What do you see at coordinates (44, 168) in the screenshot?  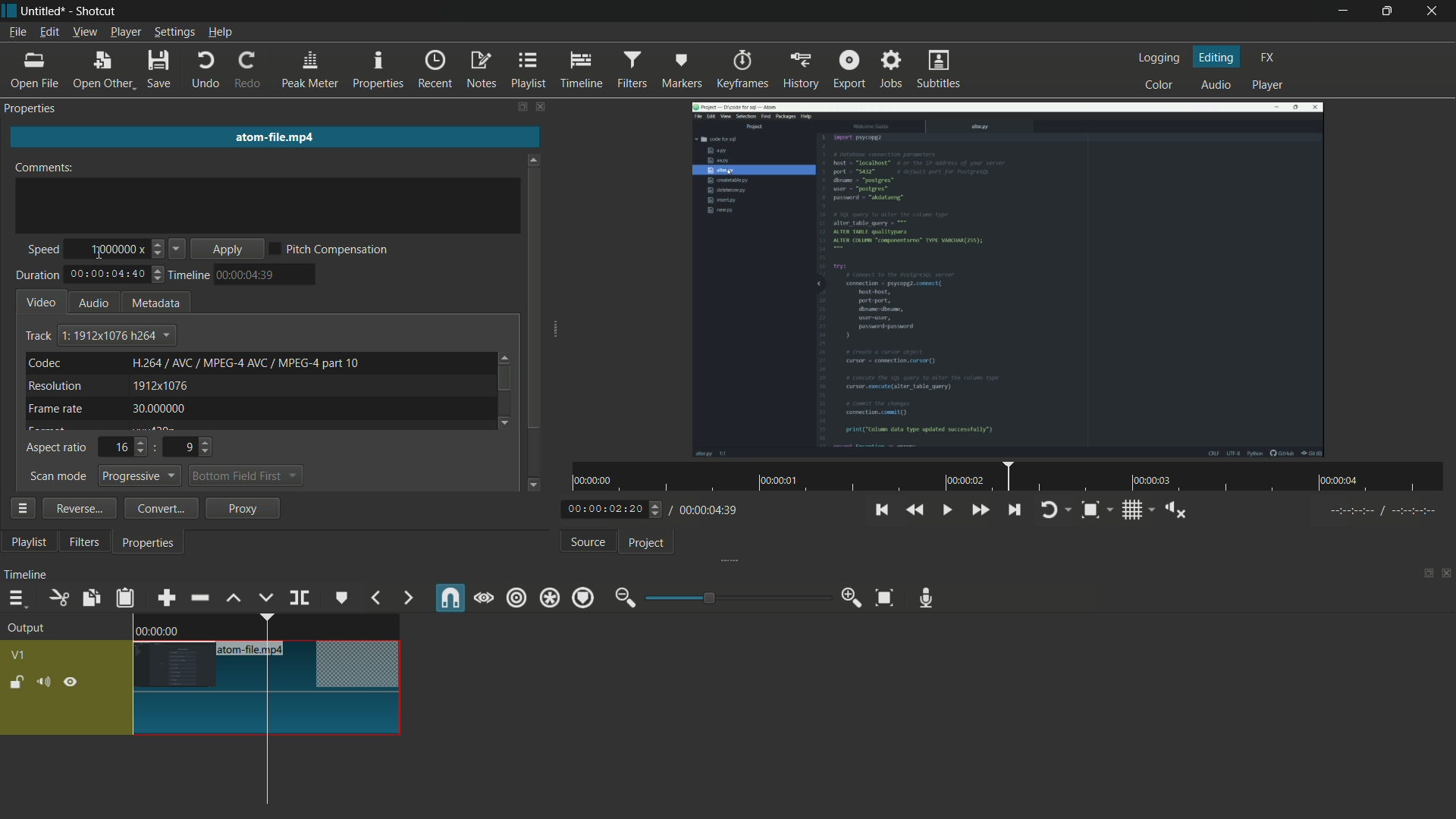 I see `comments` at bounding box center [44, 168].